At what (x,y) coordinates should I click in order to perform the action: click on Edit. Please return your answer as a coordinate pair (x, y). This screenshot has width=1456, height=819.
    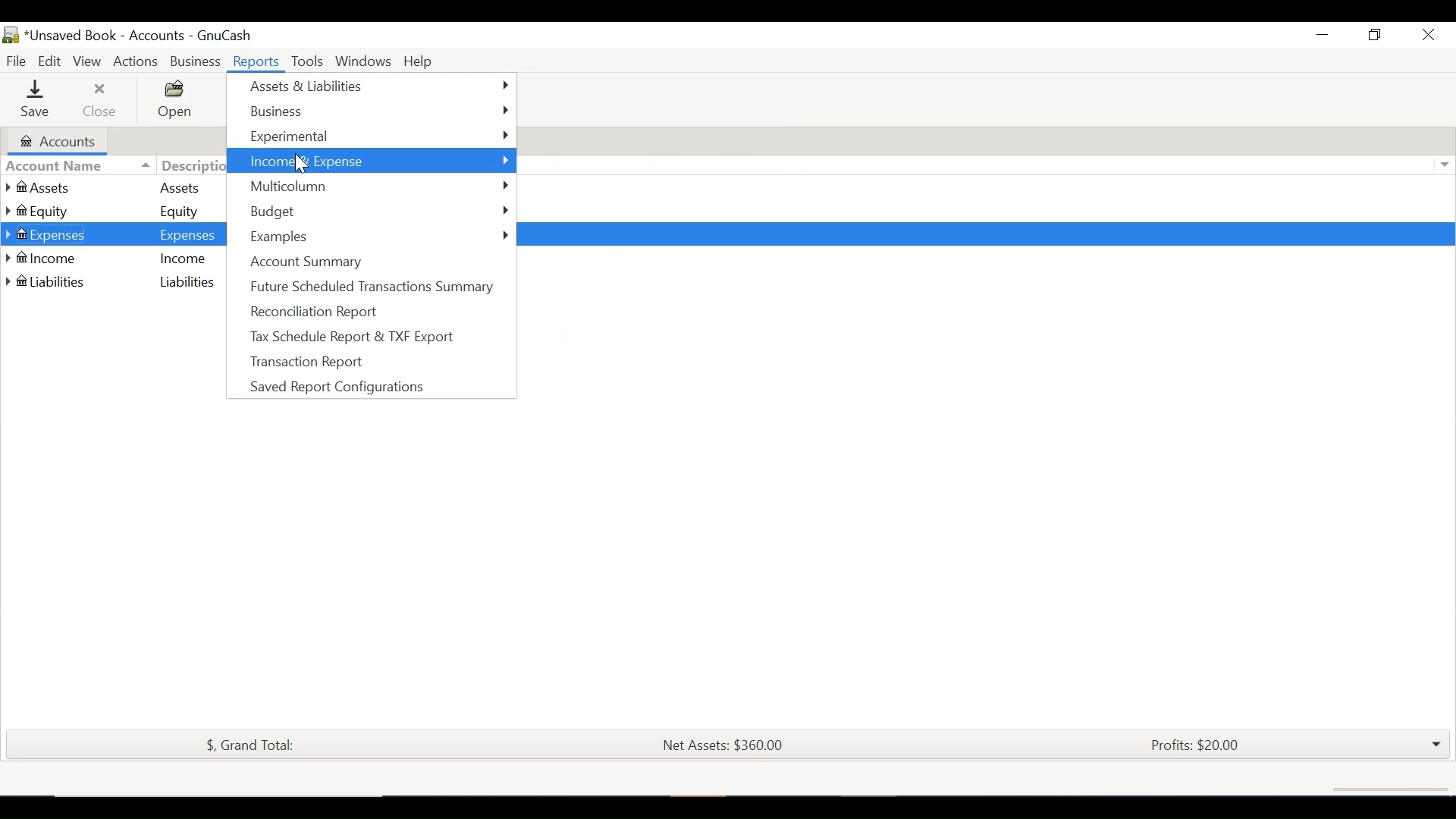
    Looking at the image, I should click on (49, 59).